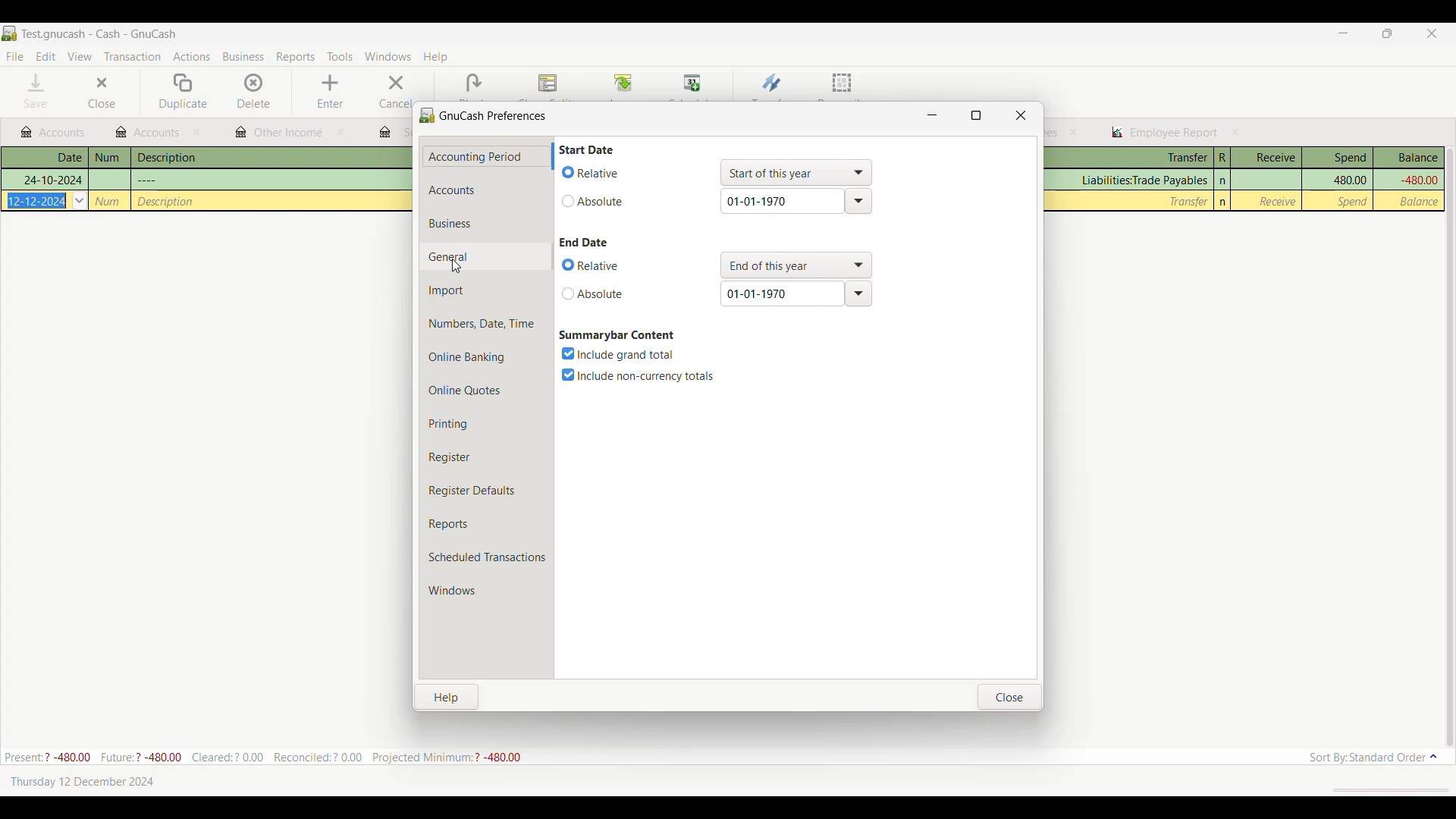 This screenshot has width=1456, height=819. Describe the element at coordinates (167, 201) in the screenshot. I see `` at that location.